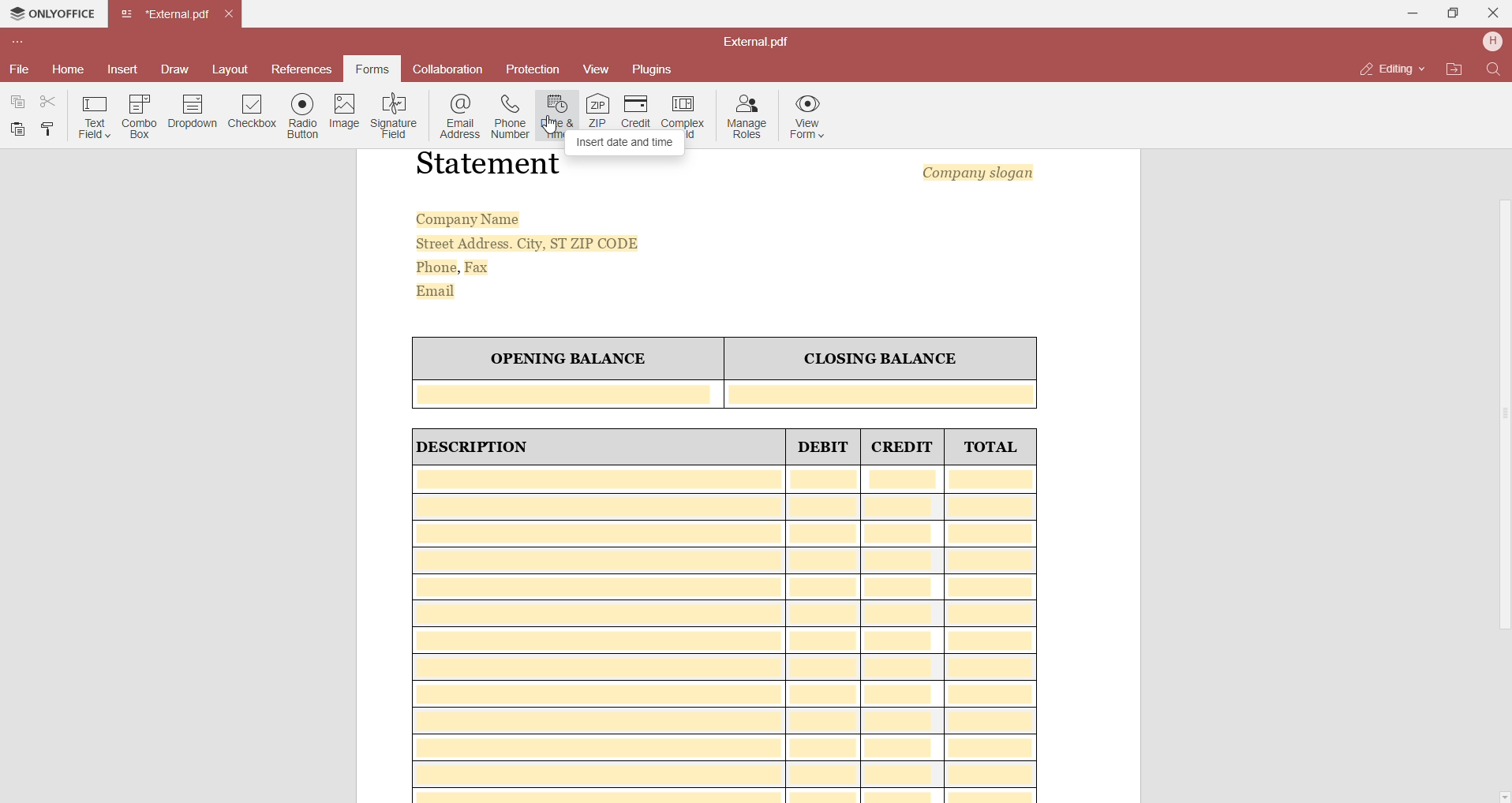 Image resolution: width=1512 pixels, height=803 pixels. I want to click on Editing, so click(1387, 70).